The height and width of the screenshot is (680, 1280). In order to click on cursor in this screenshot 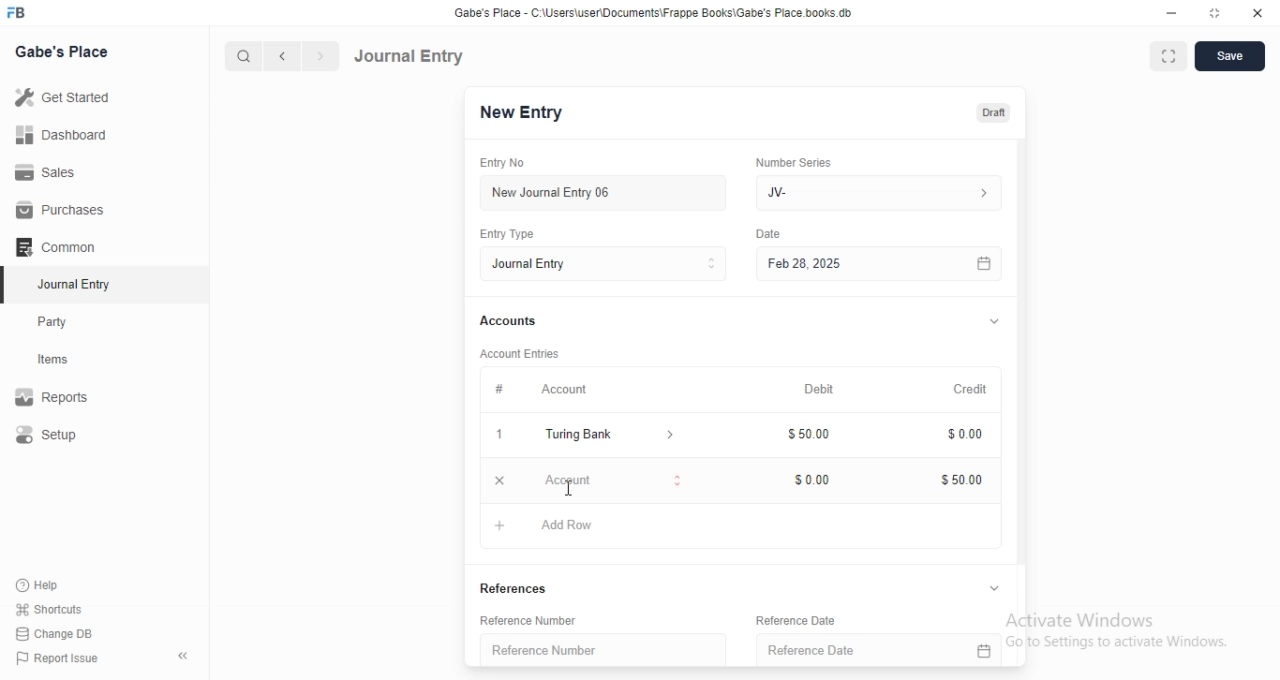, I will do `click(568, 488)`.